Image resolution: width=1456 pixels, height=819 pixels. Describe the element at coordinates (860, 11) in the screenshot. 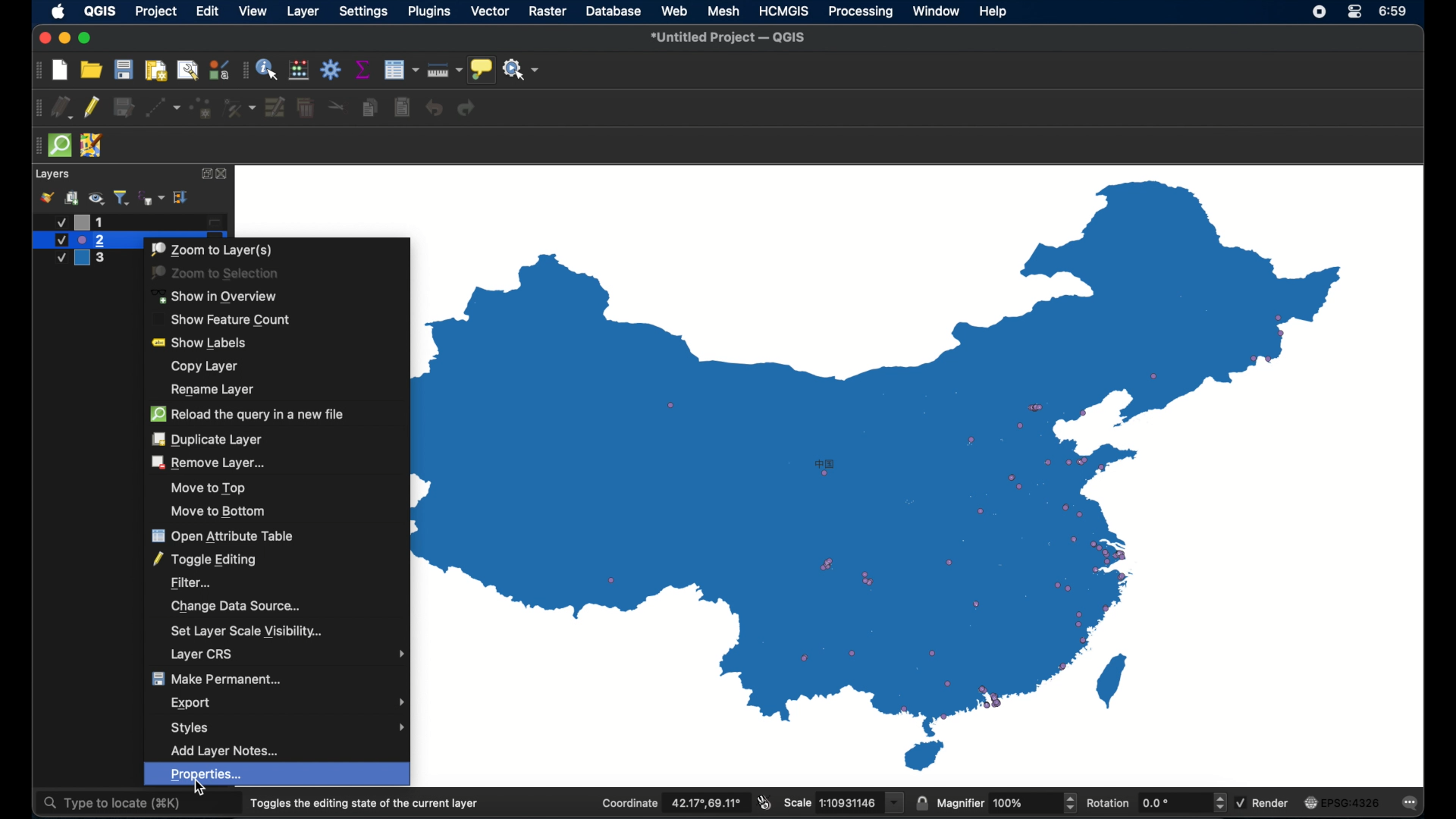

I see `processing` at that location.